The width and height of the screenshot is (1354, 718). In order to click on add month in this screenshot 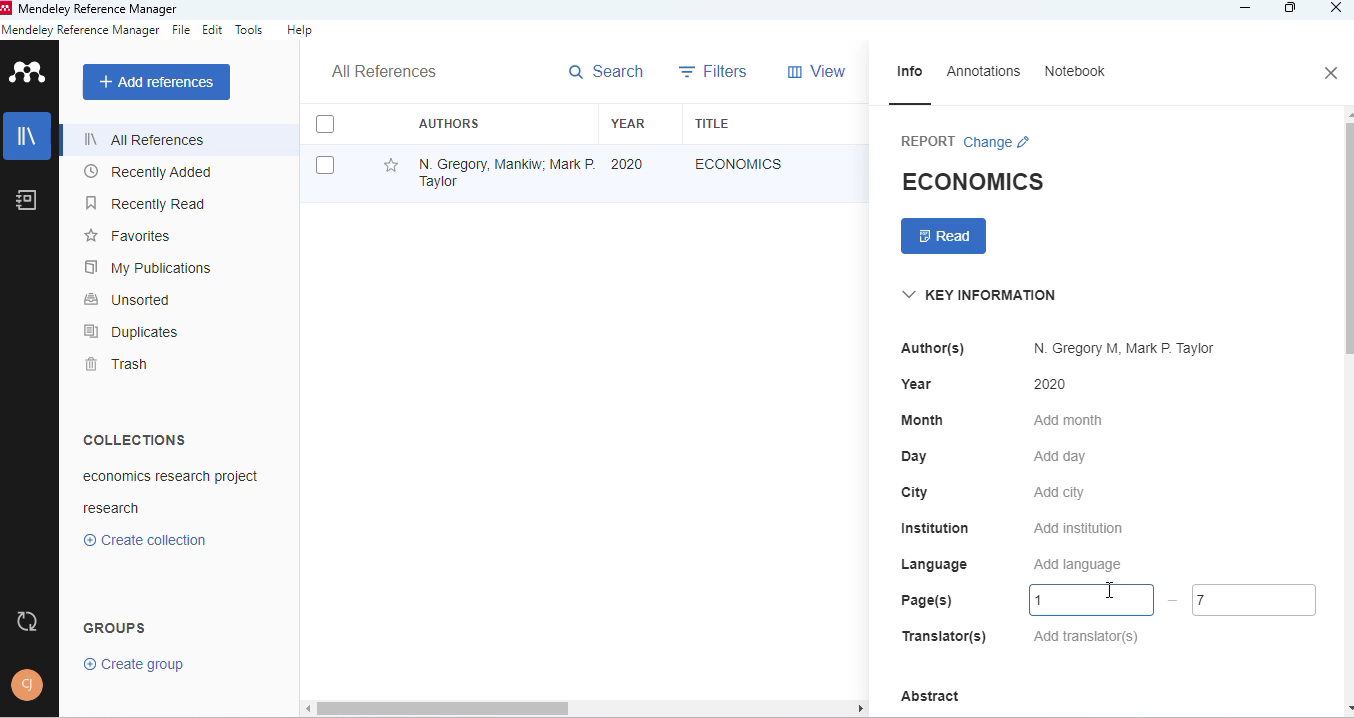, I will do `click(1069, 420)`.